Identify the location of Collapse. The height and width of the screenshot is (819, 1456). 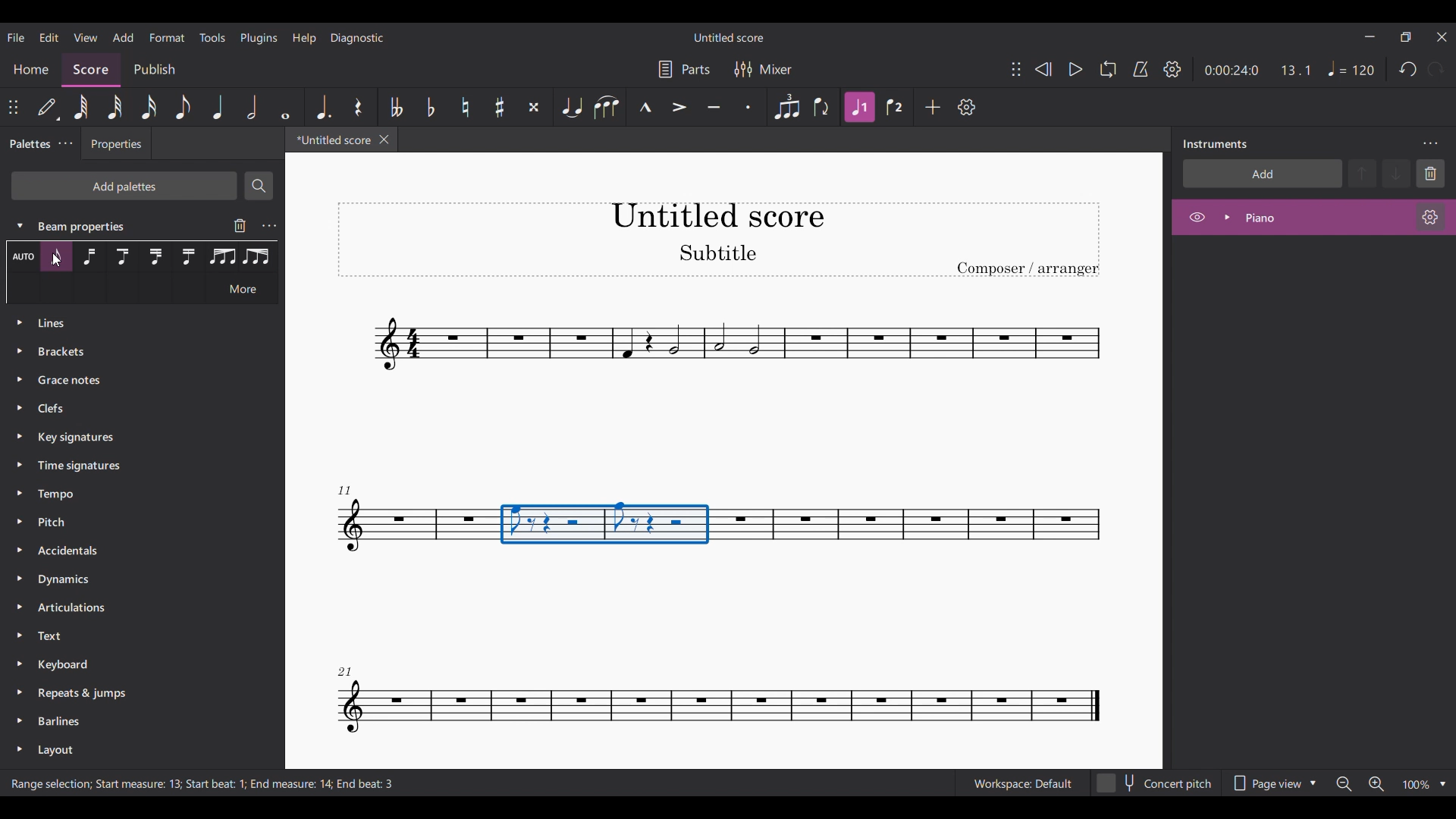
(20, 225).